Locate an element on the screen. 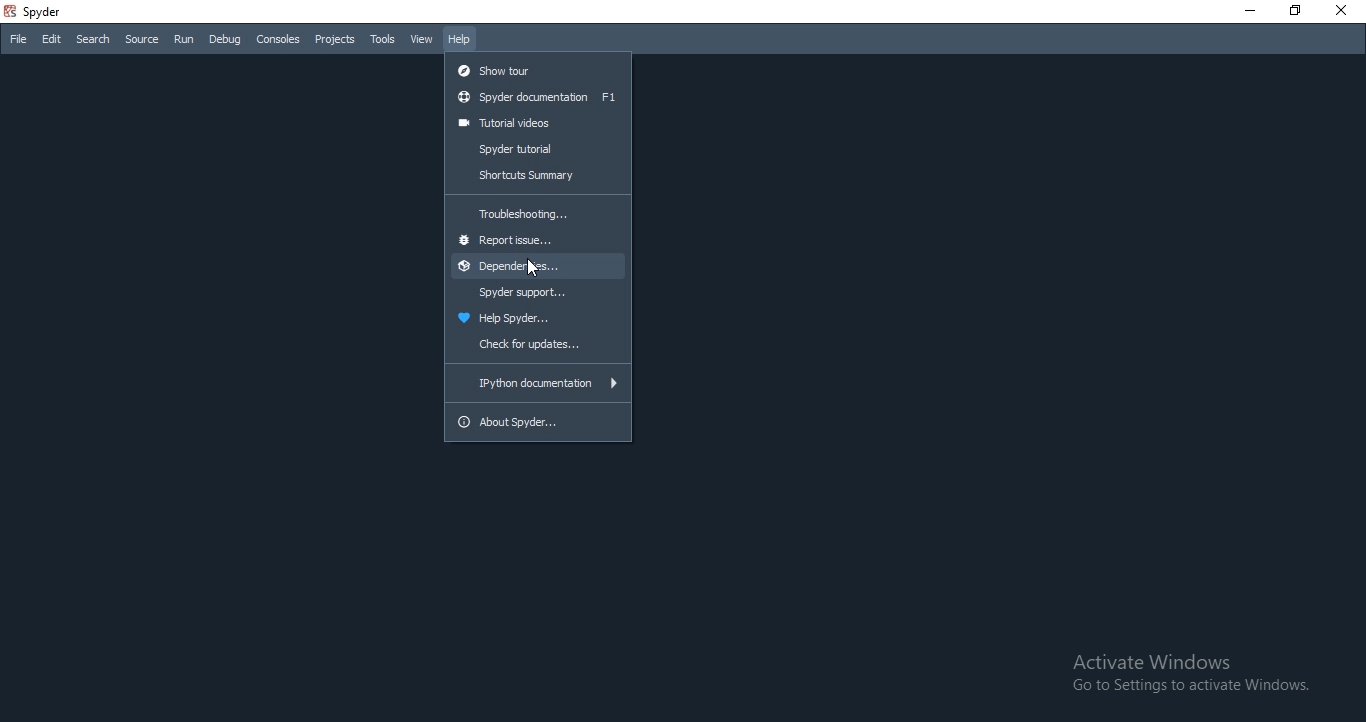 This screenshot has width=1366, height=722. dependencies is located at coordinates (537, 266).